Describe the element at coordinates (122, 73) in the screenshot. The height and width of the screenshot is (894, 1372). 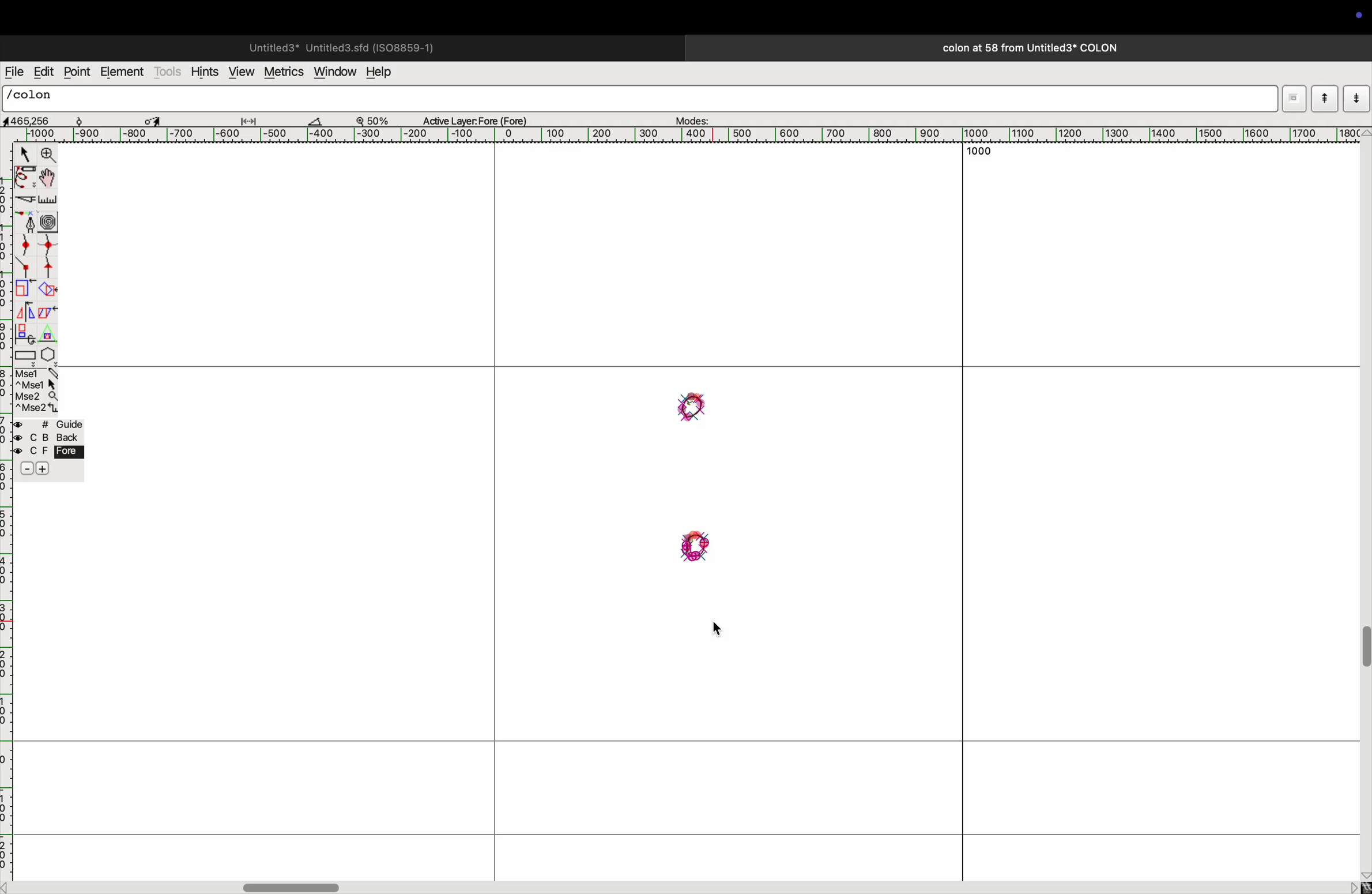
I see `element` at that location.